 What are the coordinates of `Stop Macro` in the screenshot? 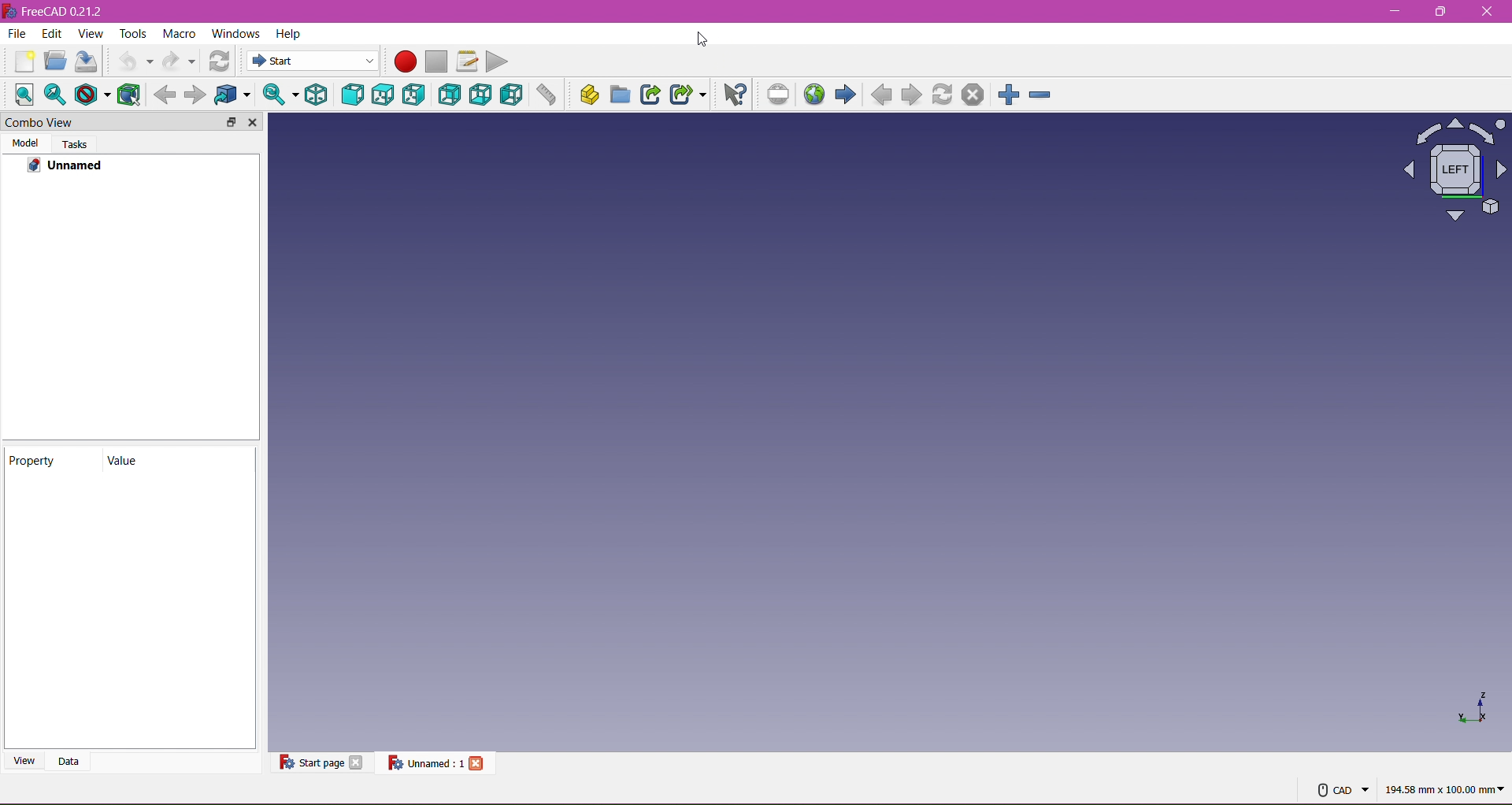 It's located at (436, 61).